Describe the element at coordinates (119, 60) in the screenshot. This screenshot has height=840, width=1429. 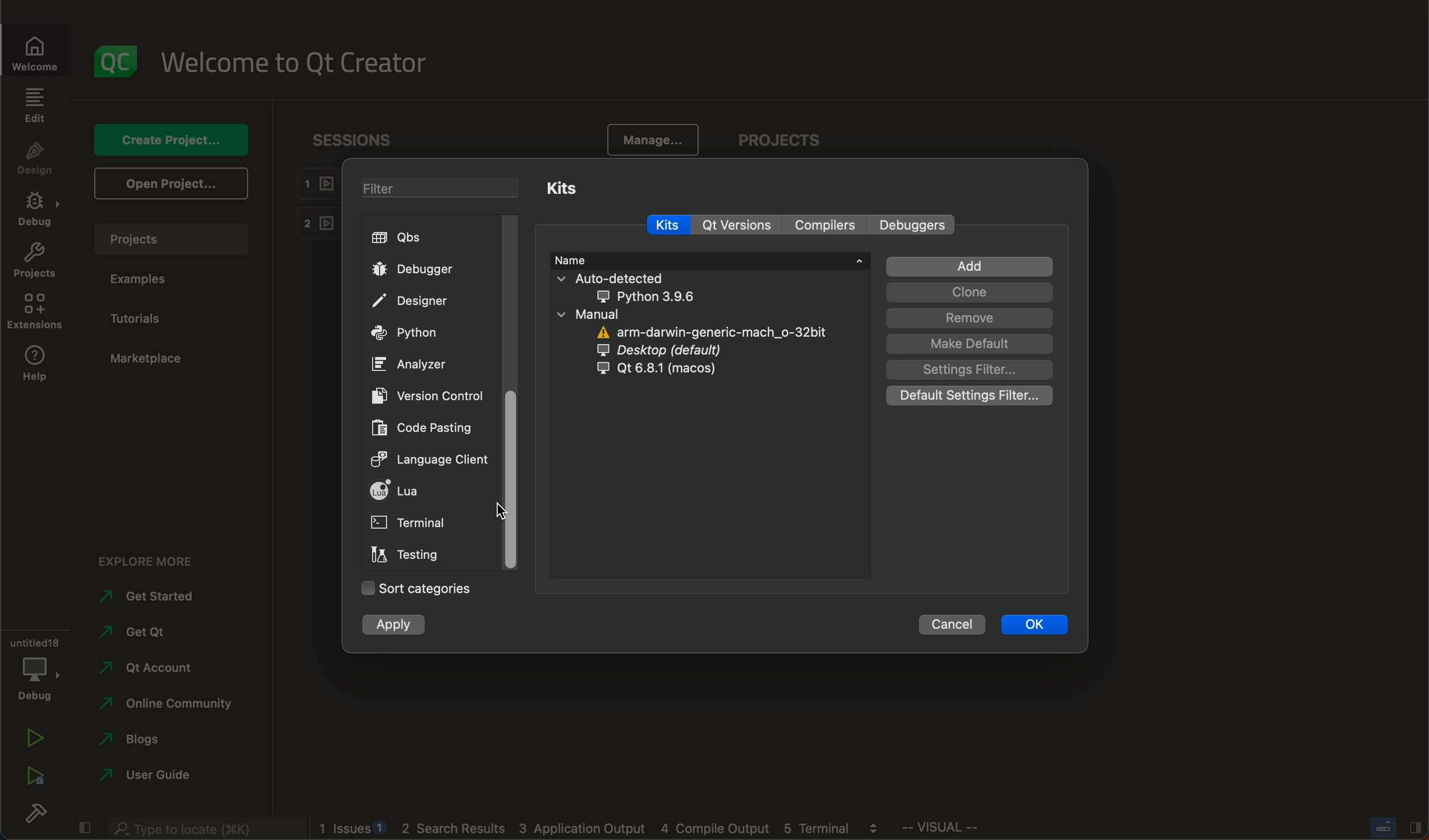
I see `logo` at that location.